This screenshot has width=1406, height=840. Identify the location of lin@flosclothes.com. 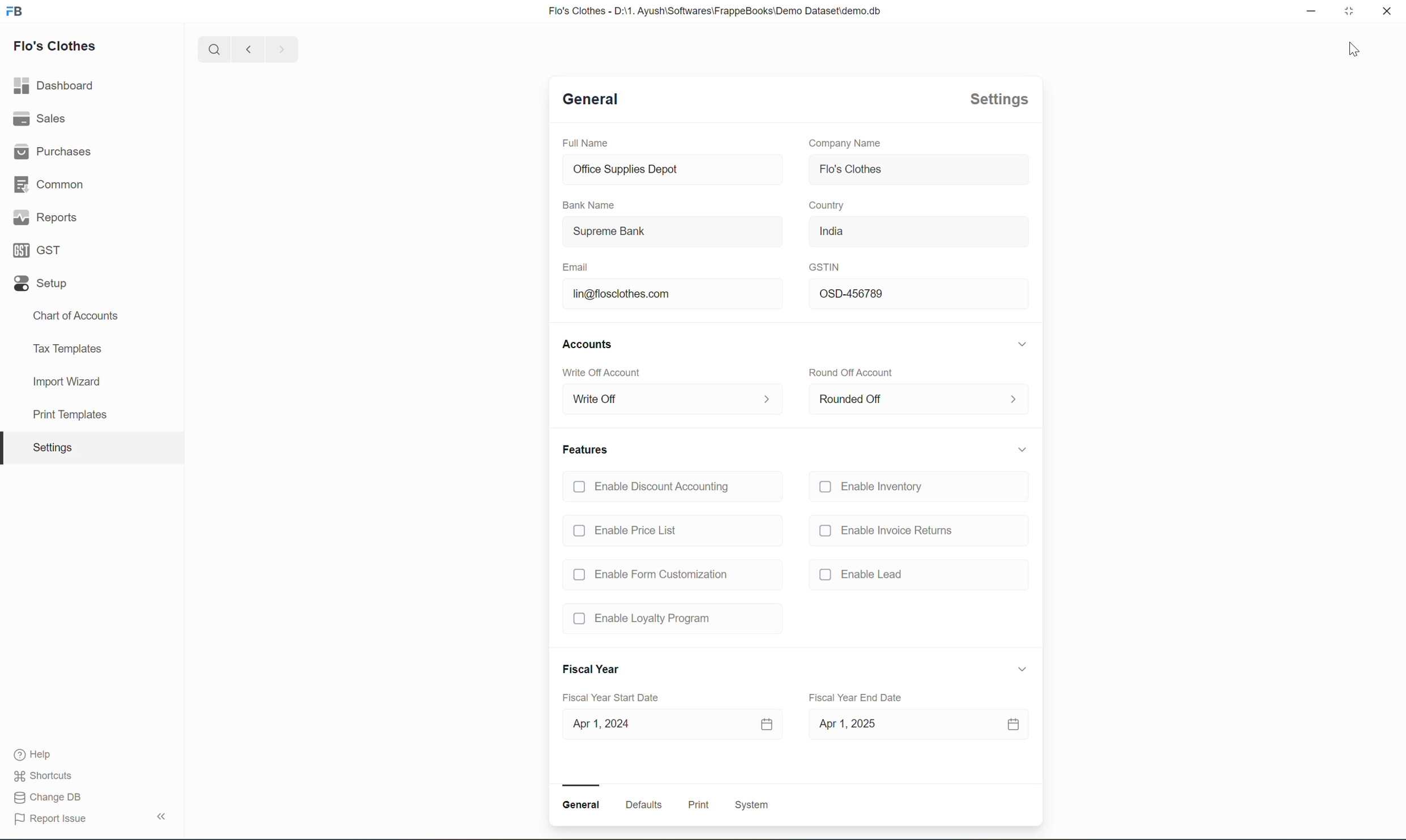
(673, 294).